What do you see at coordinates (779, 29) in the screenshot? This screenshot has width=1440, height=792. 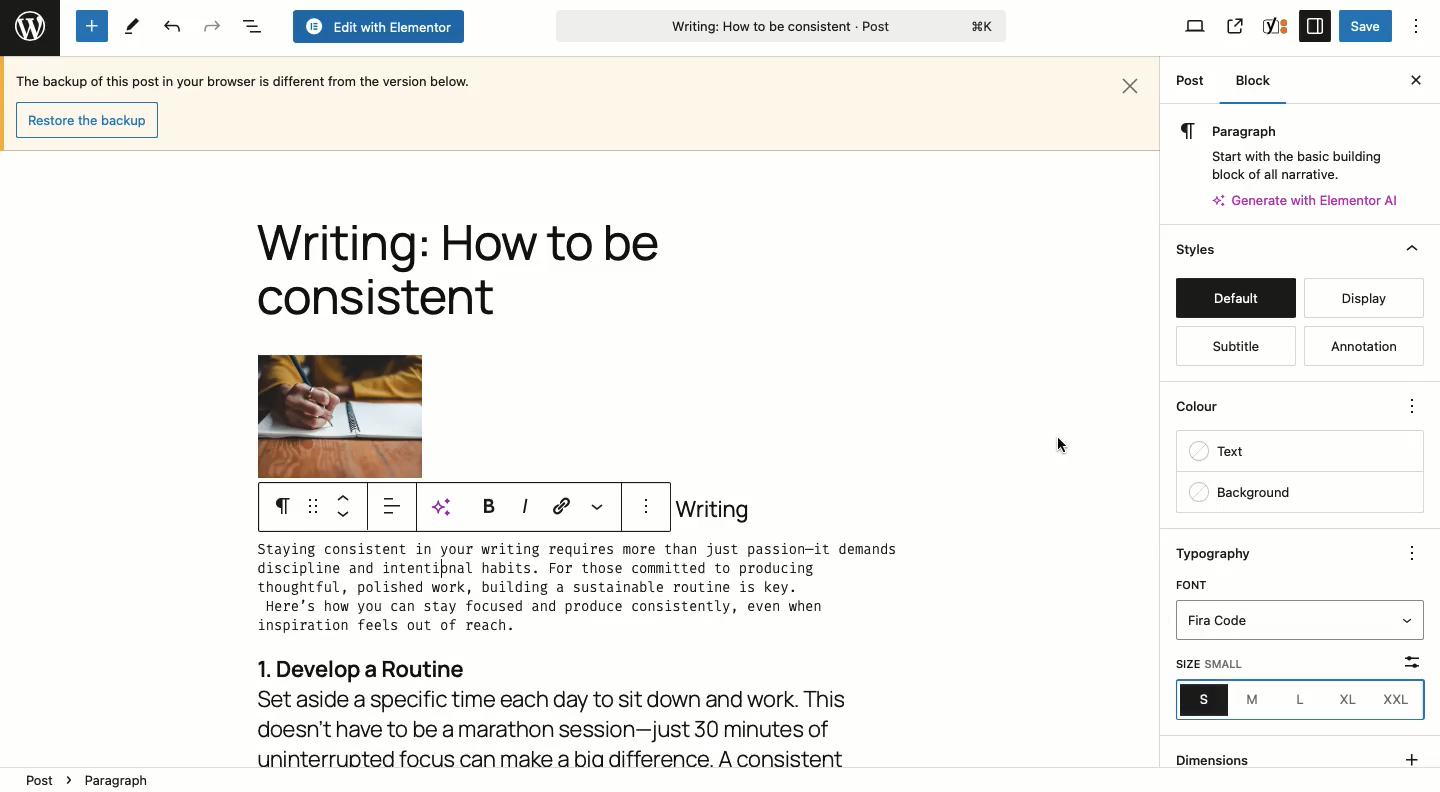 I see `Writing: How to be consistent` at bounding box center [779, 29].